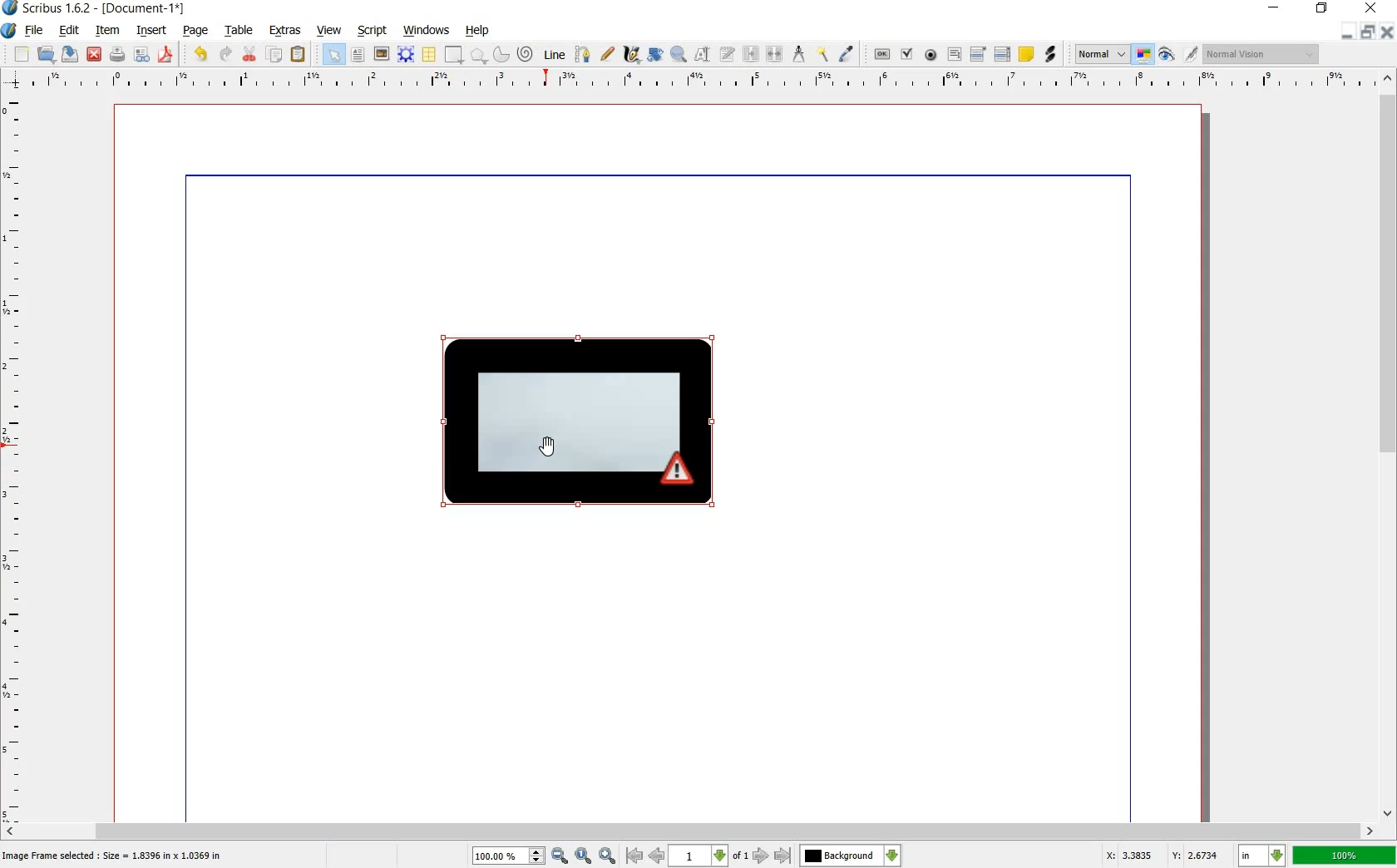 The height and width of the screenshot is (868, 1397). I want to click on bezier curve, so click(580, 55).